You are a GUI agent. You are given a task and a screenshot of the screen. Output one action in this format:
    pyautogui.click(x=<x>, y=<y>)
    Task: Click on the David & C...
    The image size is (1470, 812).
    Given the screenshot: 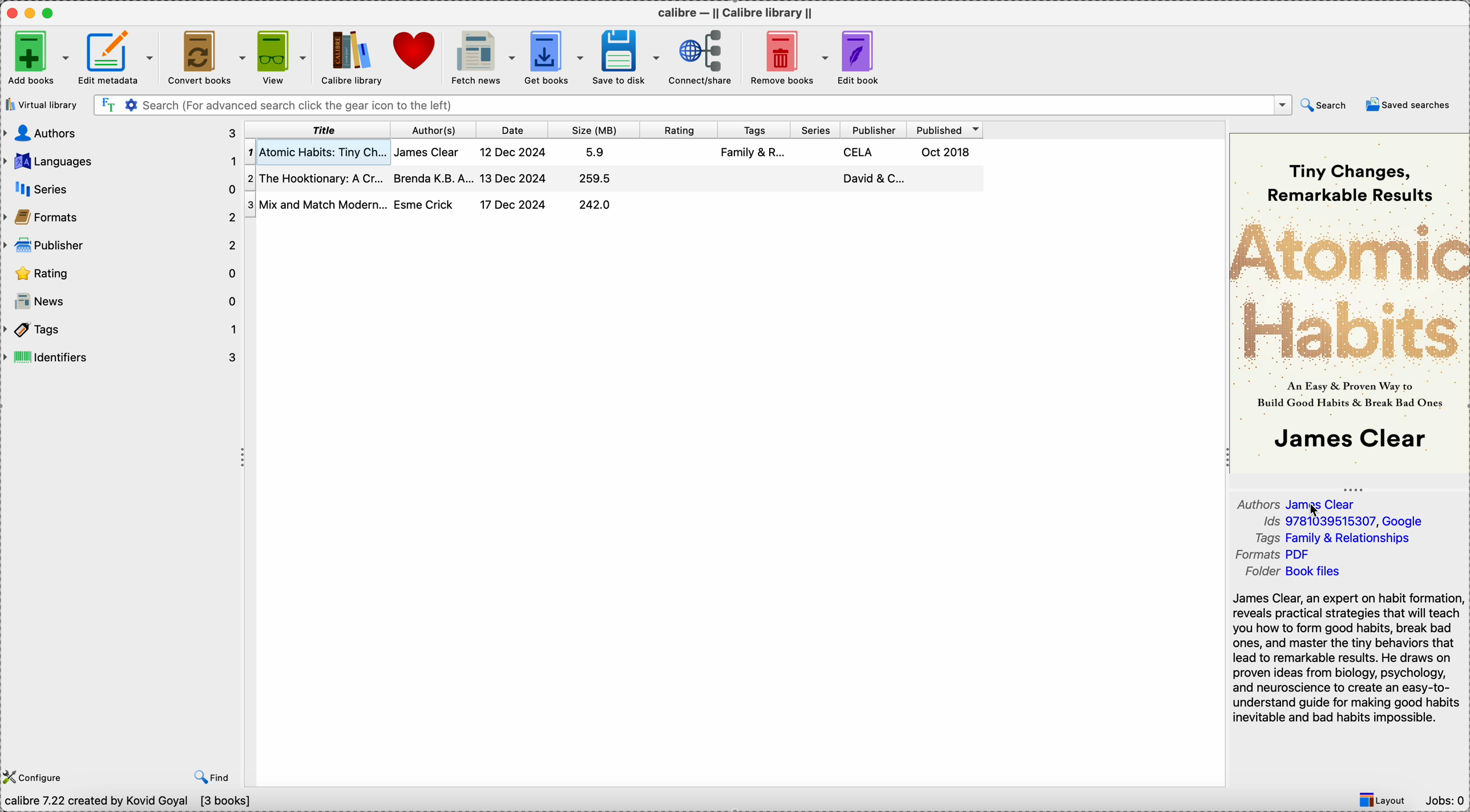 What is the action you would take?
    pyautogui.click(x=875, y=180)
    